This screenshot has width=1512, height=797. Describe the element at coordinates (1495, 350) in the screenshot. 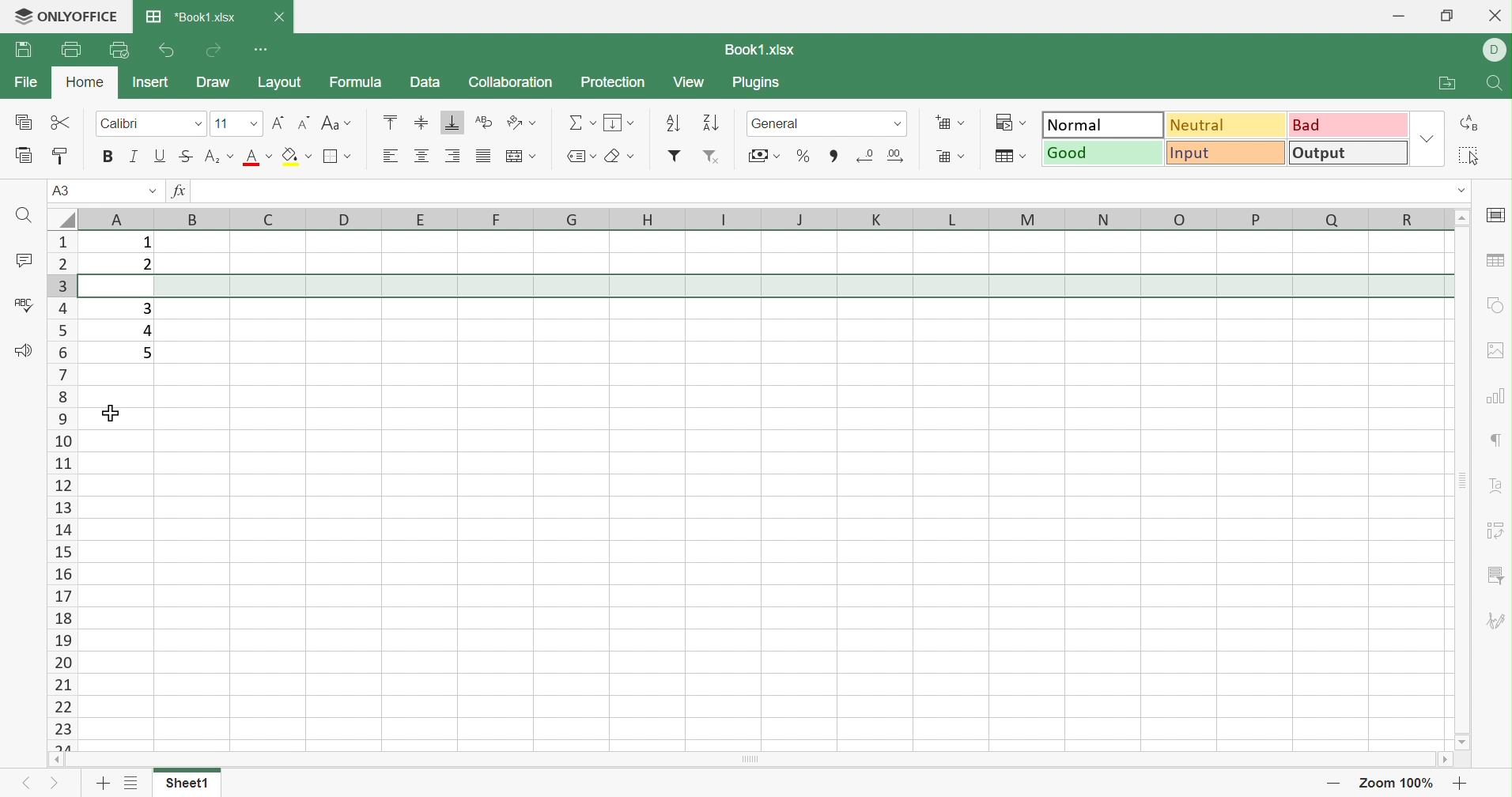

I see `Image settings` at that location.